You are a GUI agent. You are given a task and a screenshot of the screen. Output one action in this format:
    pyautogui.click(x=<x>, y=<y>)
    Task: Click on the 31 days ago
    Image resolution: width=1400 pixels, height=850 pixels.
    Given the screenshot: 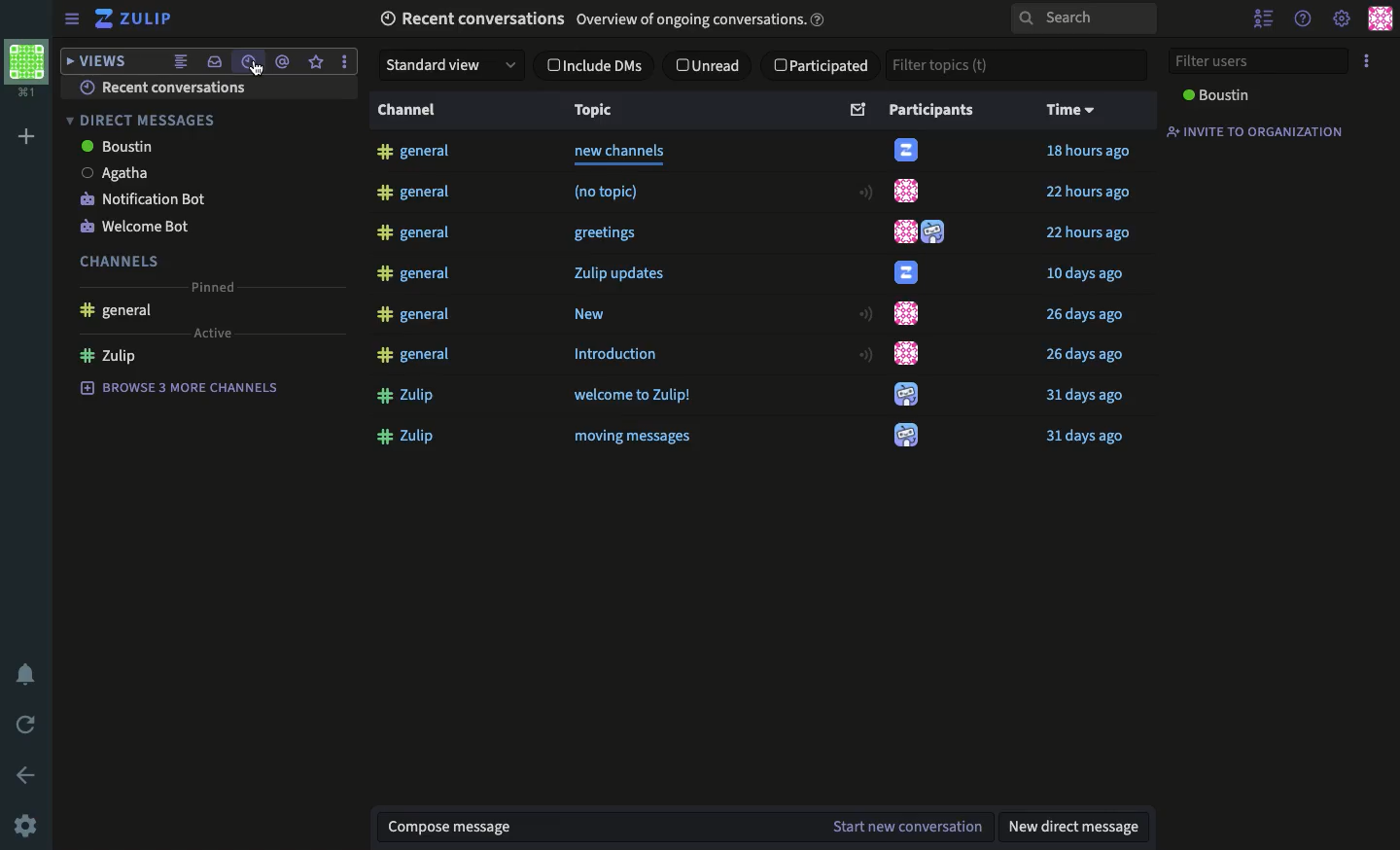 What is the action you would take?
    pyautogui.click(x=1088, y=394)
    